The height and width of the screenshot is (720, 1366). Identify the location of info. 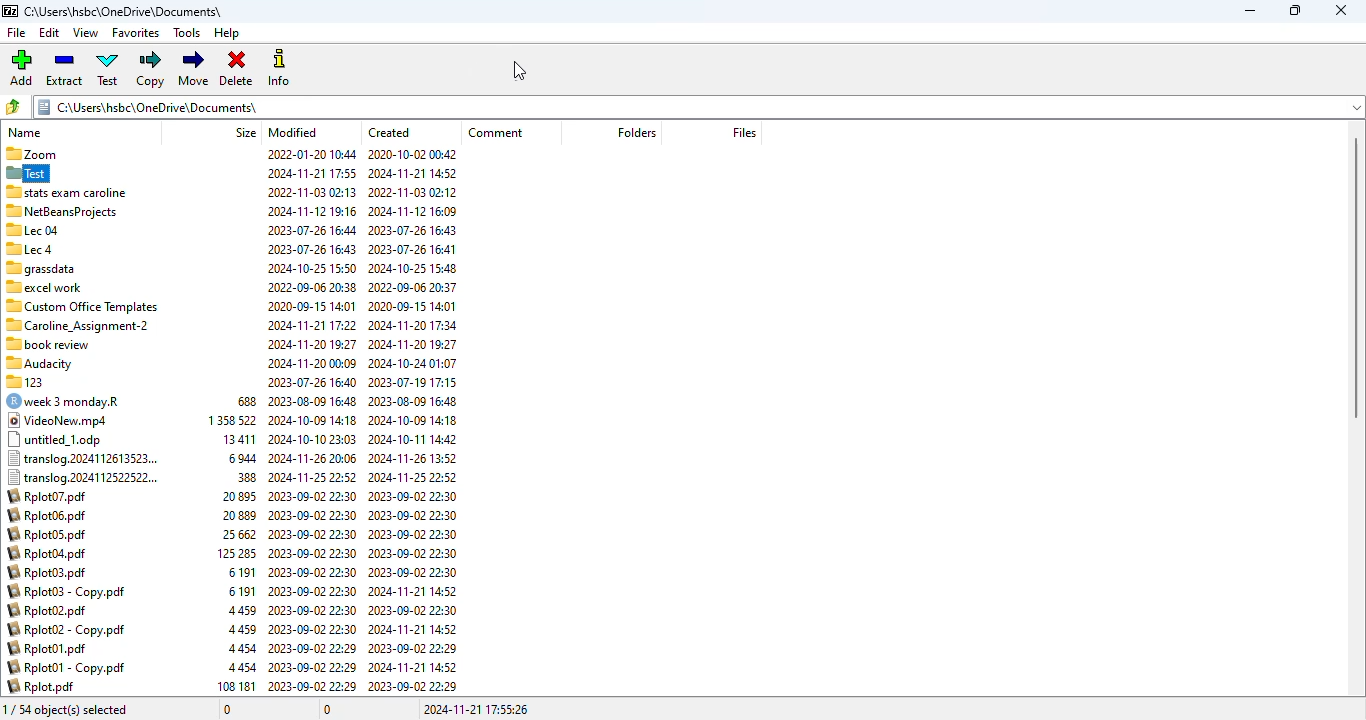
(282, 69).